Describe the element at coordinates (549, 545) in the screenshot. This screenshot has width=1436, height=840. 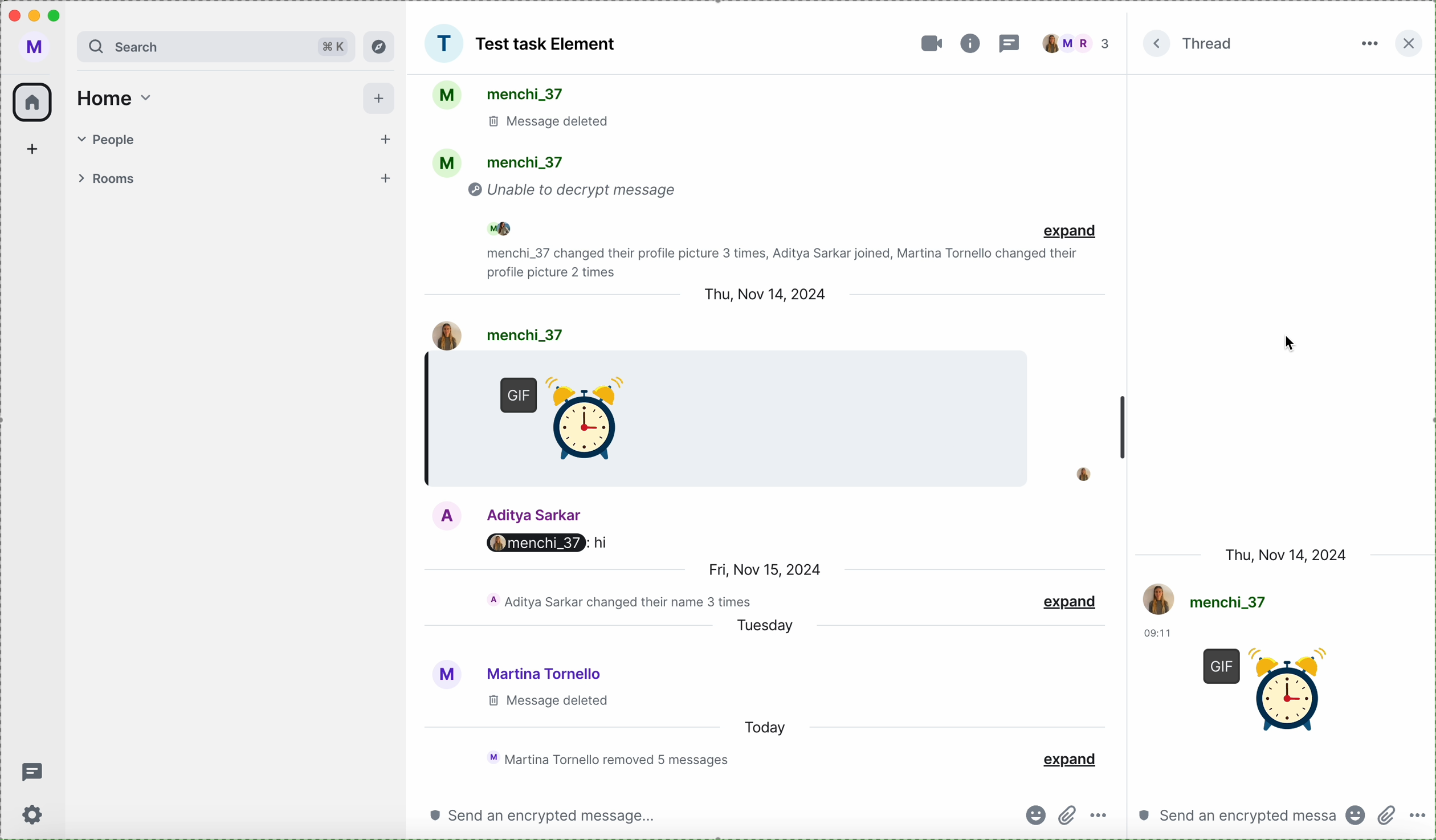
I see `Aditya's message` at that location.